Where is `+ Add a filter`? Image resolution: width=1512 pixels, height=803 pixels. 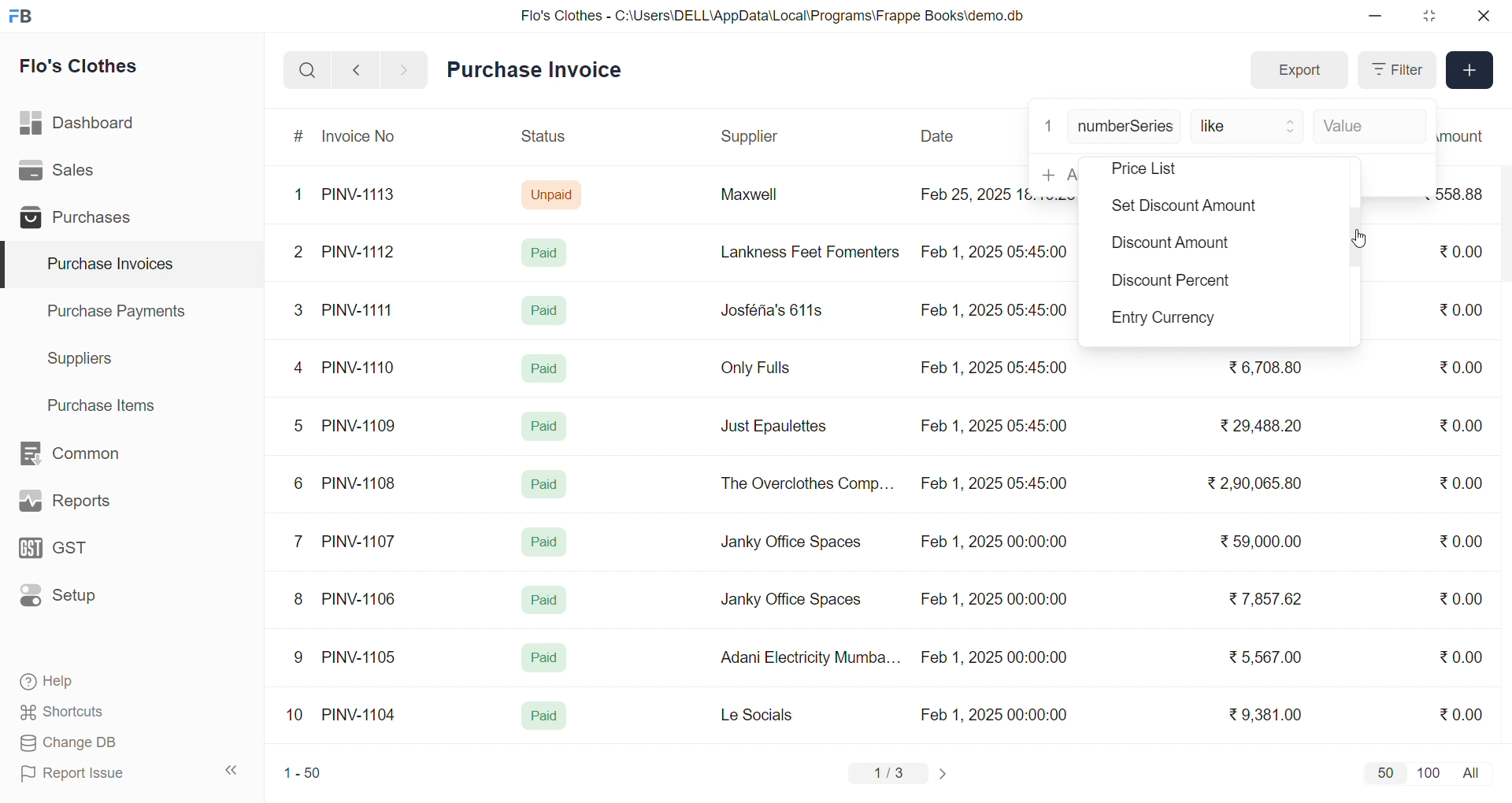
+ Add a filter is located at coordinates (1054, 174).